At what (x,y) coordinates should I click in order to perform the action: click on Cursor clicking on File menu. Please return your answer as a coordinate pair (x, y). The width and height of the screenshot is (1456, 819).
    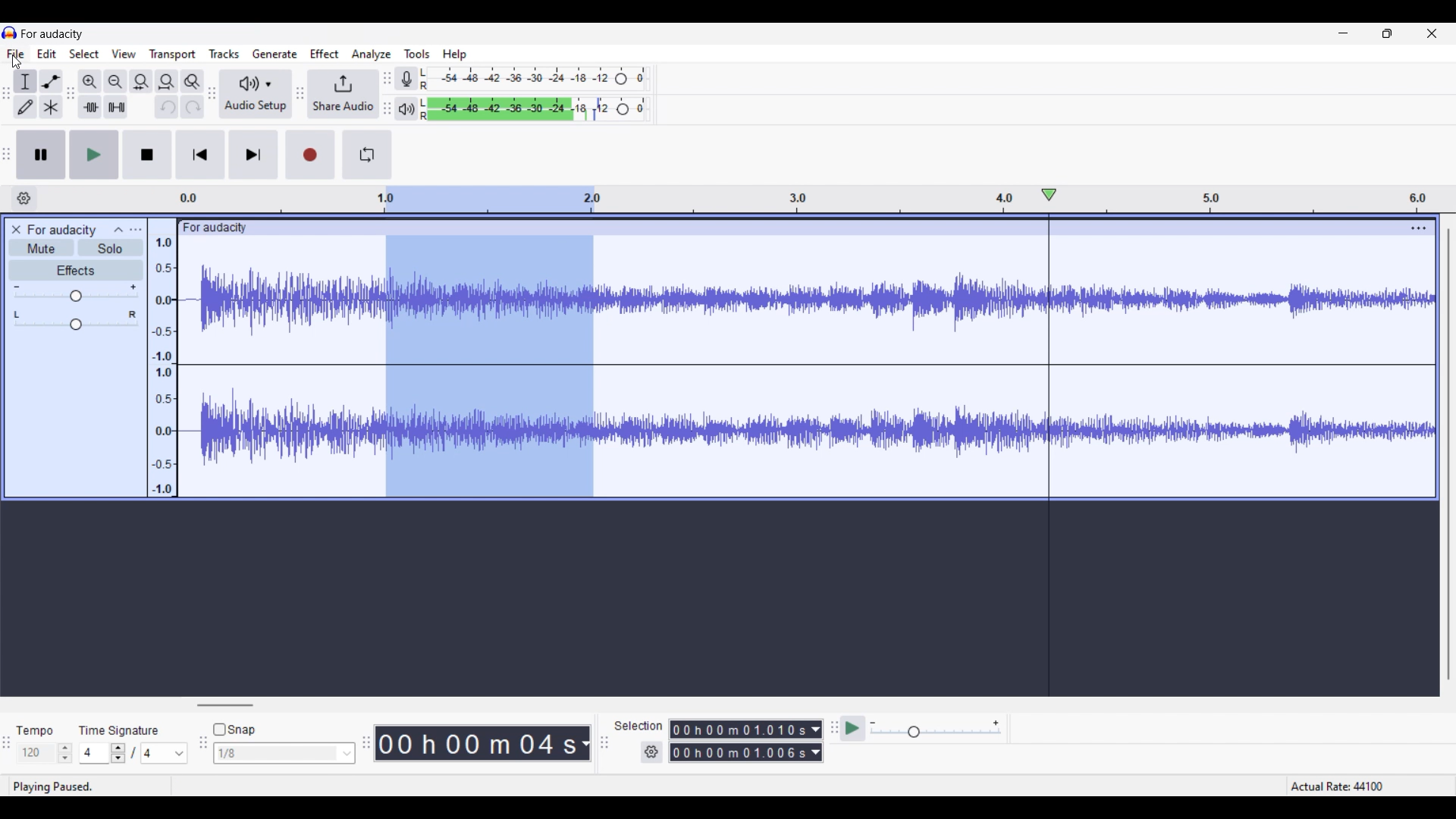
    Looking at the image, I should click on (17, 62).